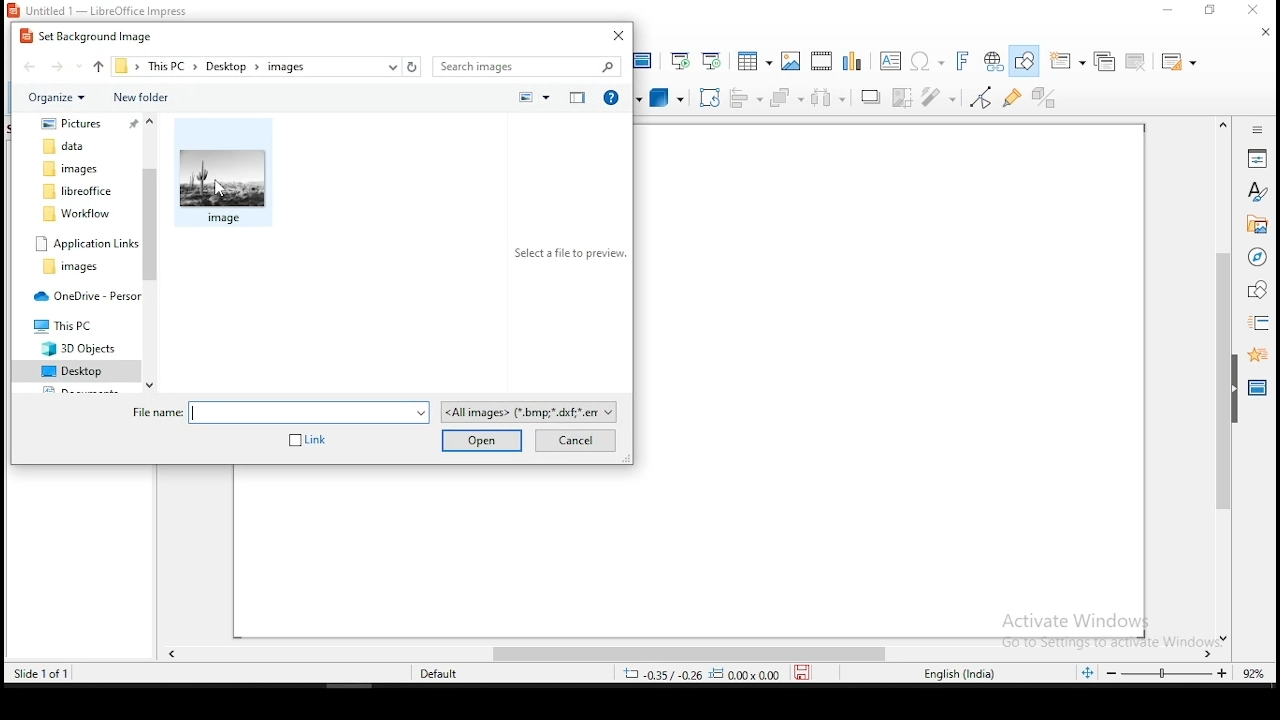 The height and width of the screenshot is (720, 1280). What do you see at coordinates (666, 99) in the screenshot?
I see `3D objects` at bounding box center [666, 99].